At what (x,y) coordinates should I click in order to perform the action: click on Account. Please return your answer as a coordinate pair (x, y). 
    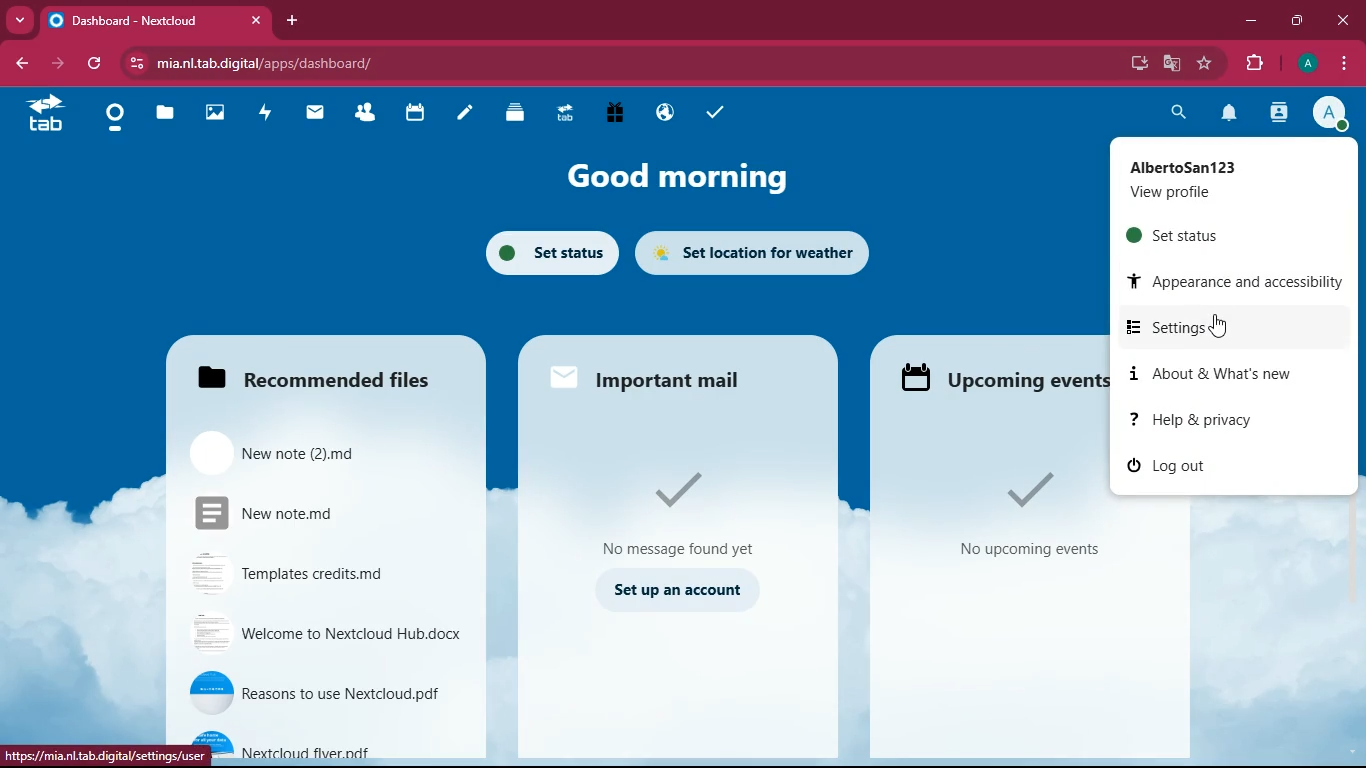
    Looking at the image, I should click on (1305, 61).